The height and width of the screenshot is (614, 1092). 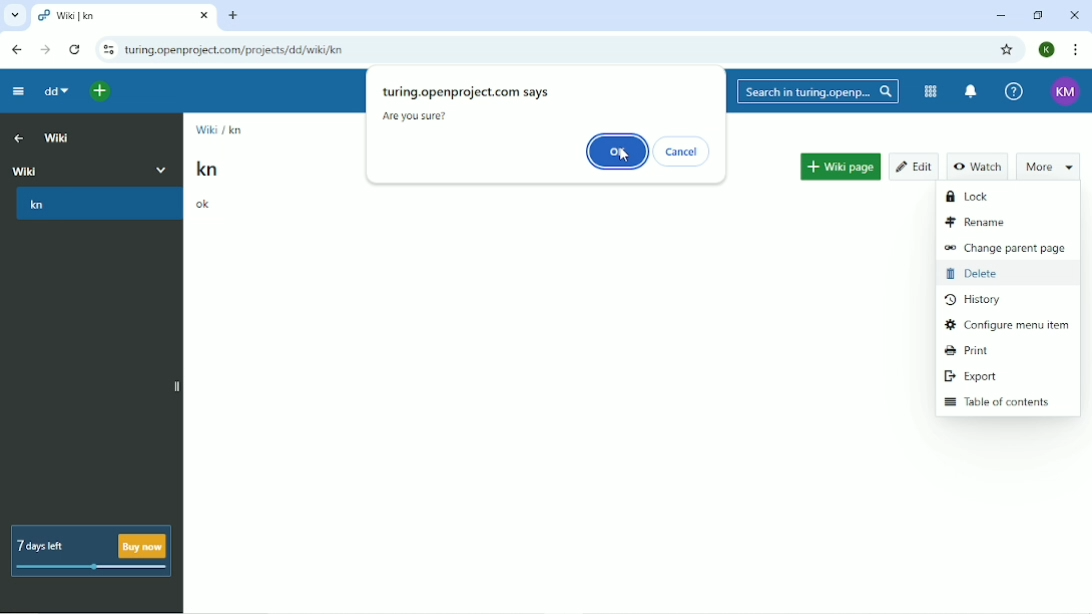 I want to click on Forward, so click(x=45, y=50).